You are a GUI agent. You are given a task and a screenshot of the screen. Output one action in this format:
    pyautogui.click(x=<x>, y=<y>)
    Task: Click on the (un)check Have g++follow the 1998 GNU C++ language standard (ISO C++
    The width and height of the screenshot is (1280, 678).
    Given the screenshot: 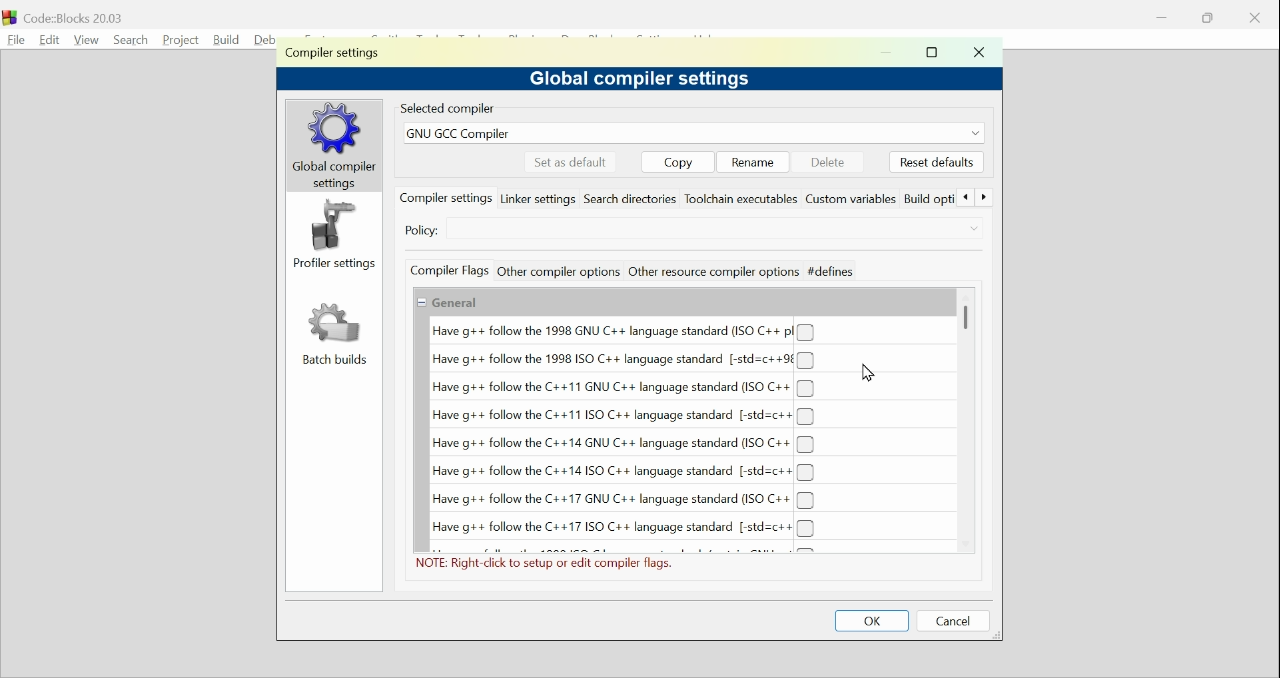 What is the action you would take?
    pyautogui.click(x=623, y=332)
    